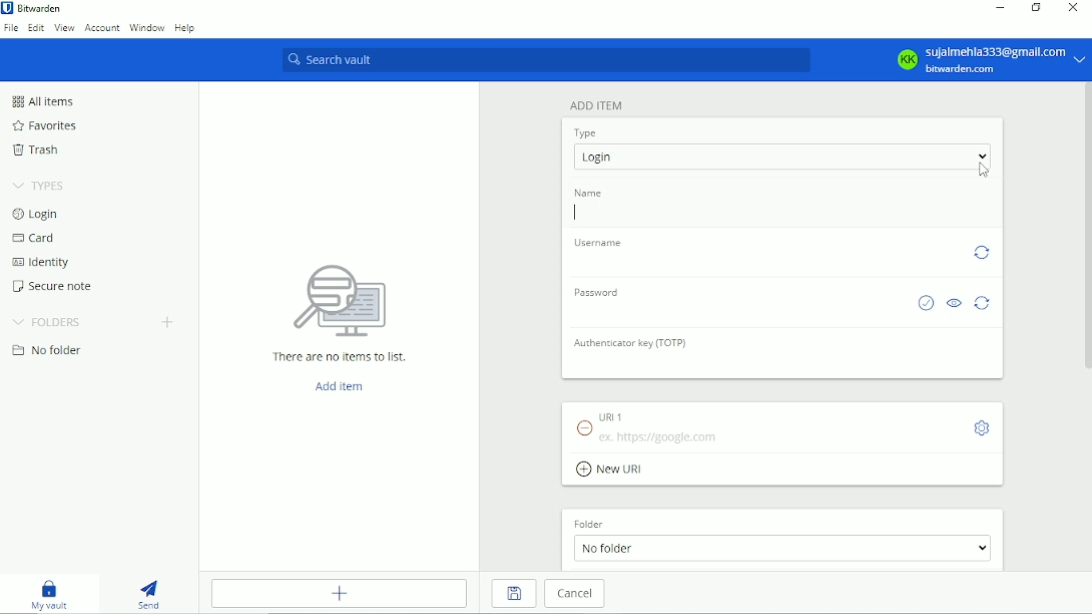 Image resolution: width=1092 pixels, height=614 pixels. Describe the element at coordinates (1085, 231) in the screenshot. I see `Vertical scrollbar` at that location.